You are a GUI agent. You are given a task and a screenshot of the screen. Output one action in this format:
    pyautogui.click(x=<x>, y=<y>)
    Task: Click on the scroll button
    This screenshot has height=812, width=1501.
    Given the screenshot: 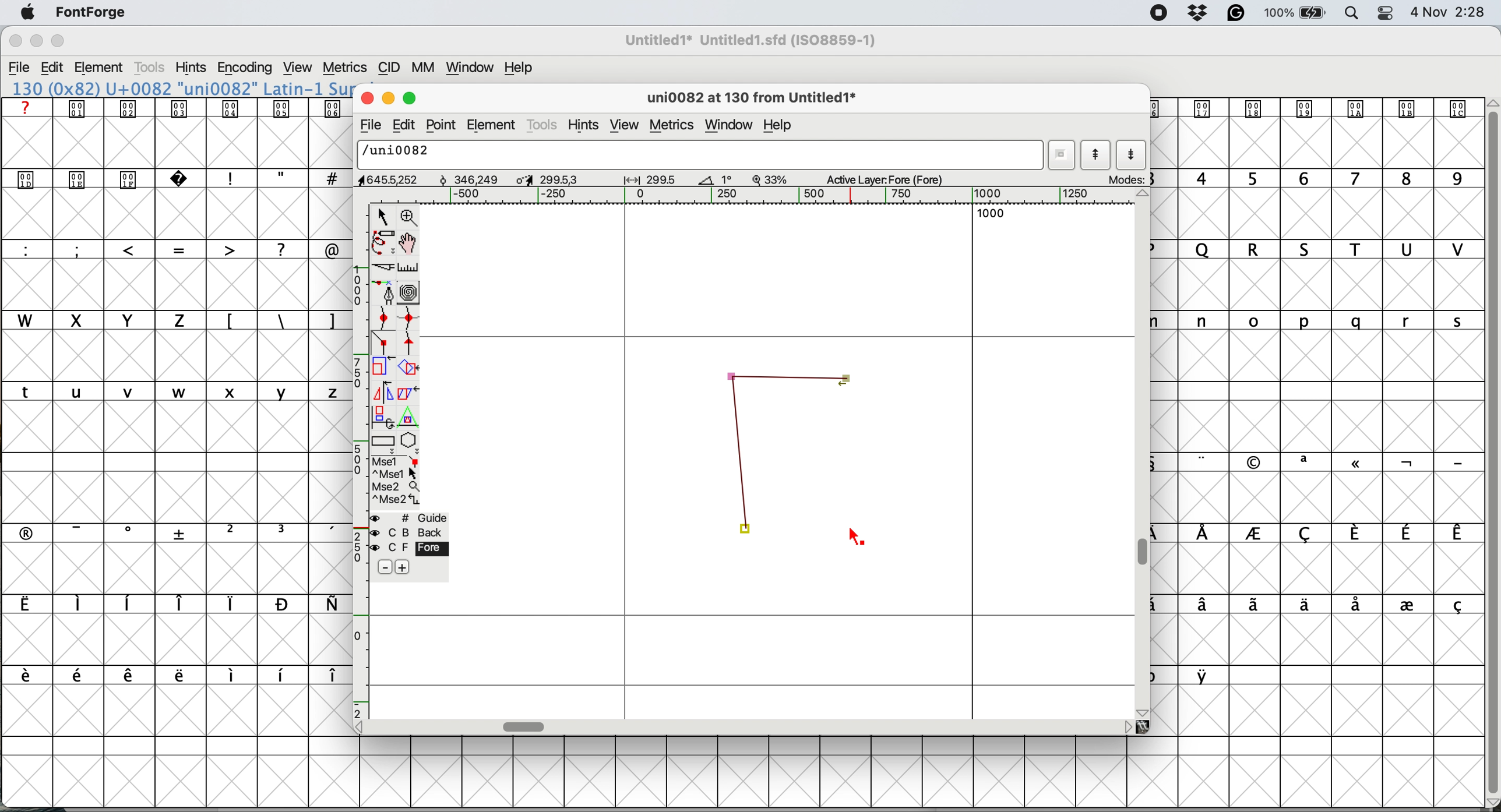 What is the action you would take?
    pyautogui.click(x=364, y=726)
    